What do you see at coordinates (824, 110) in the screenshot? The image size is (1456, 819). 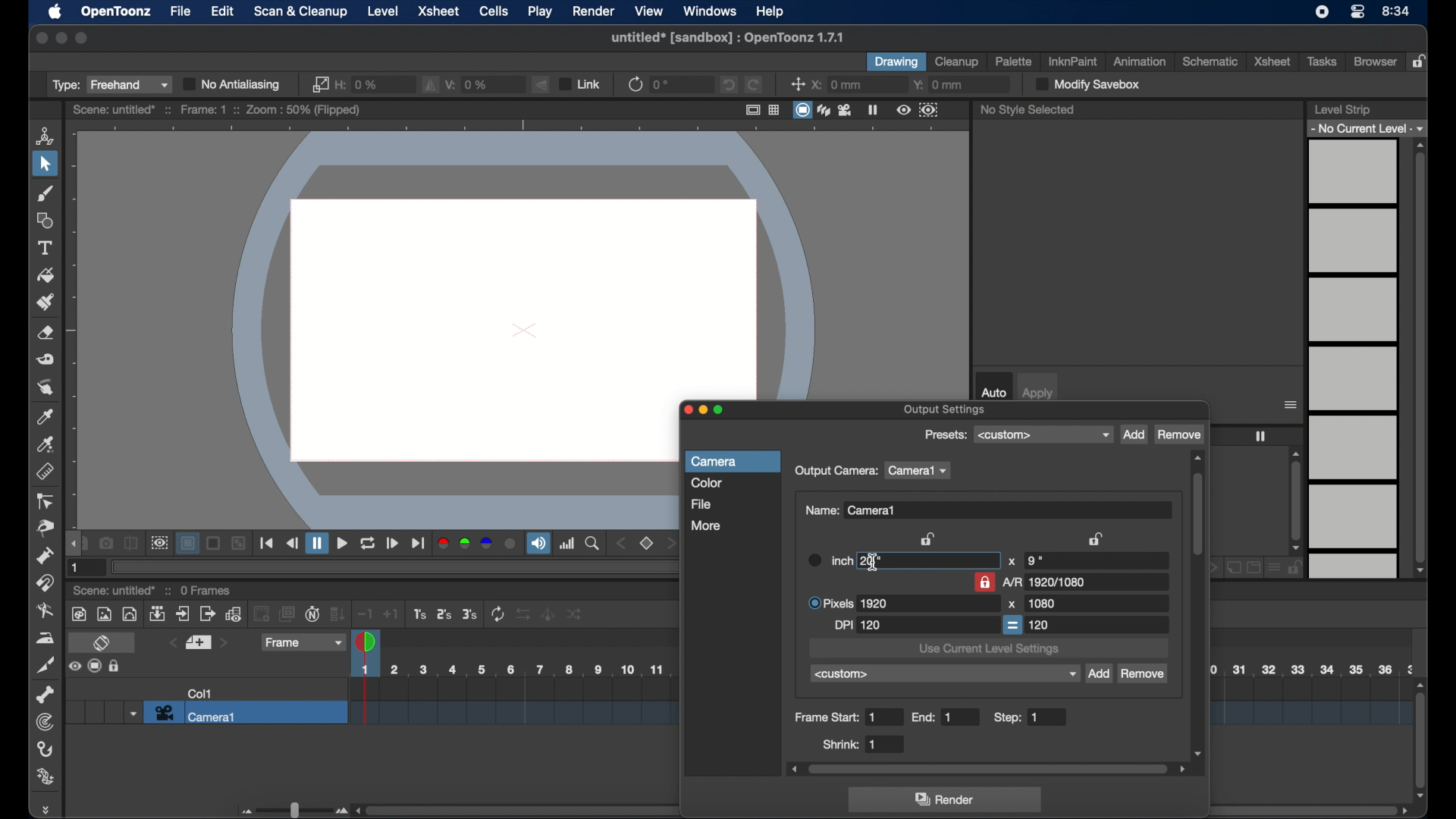 I see `view modes` at bounding box center [824, 110].